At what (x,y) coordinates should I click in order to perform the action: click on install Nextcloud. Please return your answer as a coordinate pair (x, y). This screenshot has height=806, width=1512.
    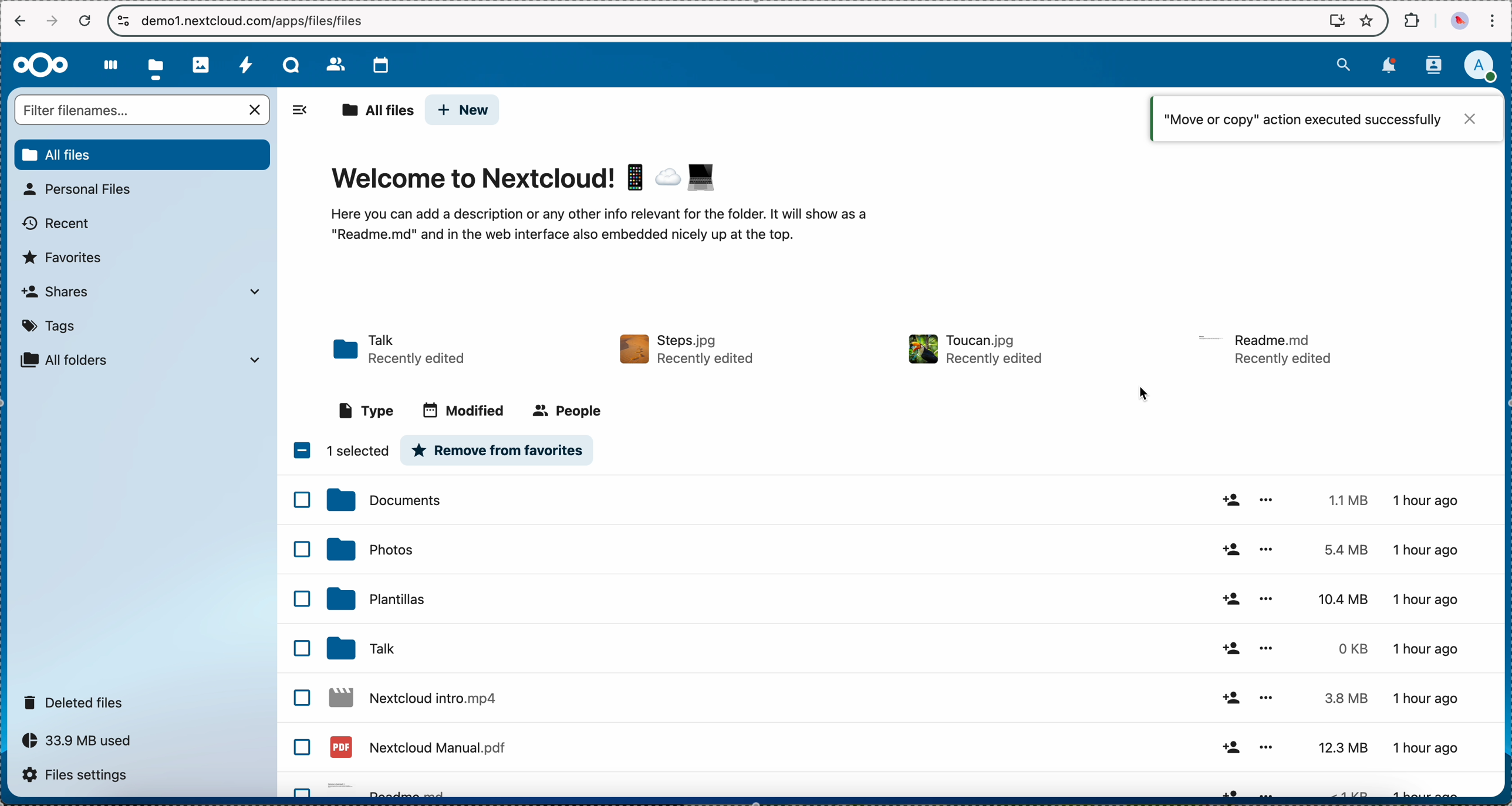
    Looking at the image, I should click on (1337, 22).